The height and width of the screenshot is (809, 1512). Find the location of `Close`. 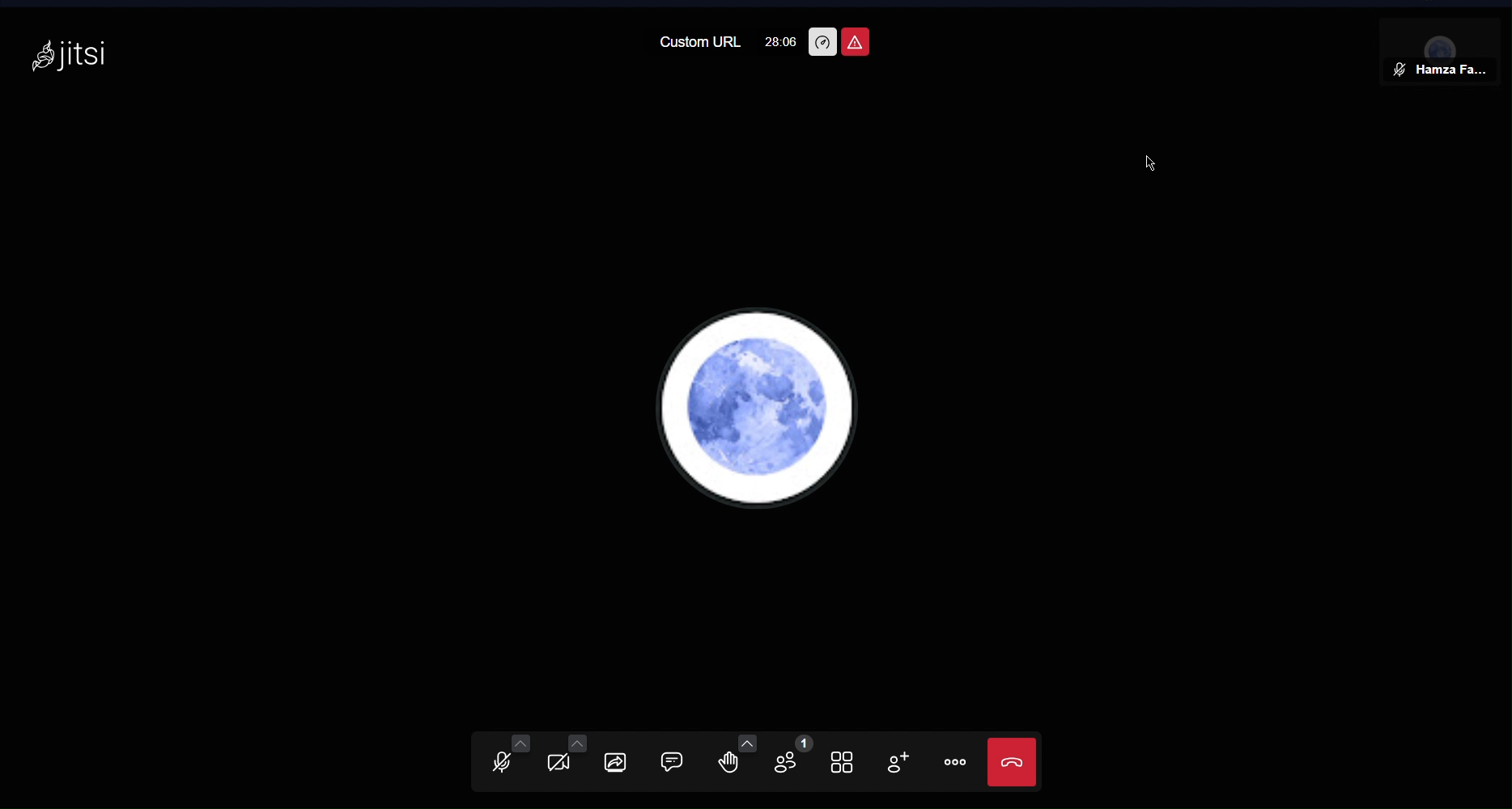

Close is located at coordinates (1013, 762).